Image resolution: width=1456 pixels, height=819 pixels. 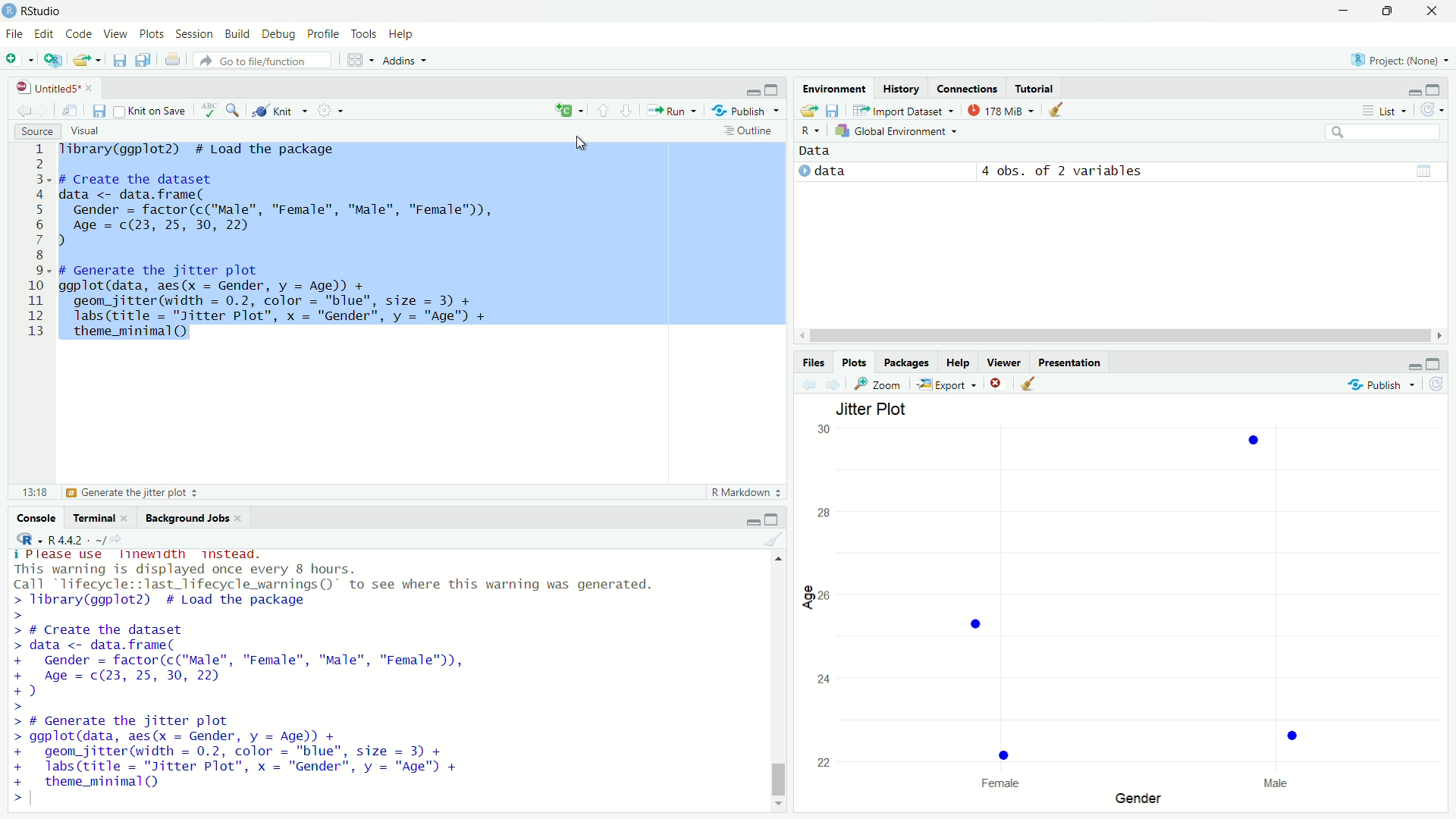 What do you see at coordinates (45, 108) in the screenshot?
I see `go forward to next source location` at bounding box center [45, 108].